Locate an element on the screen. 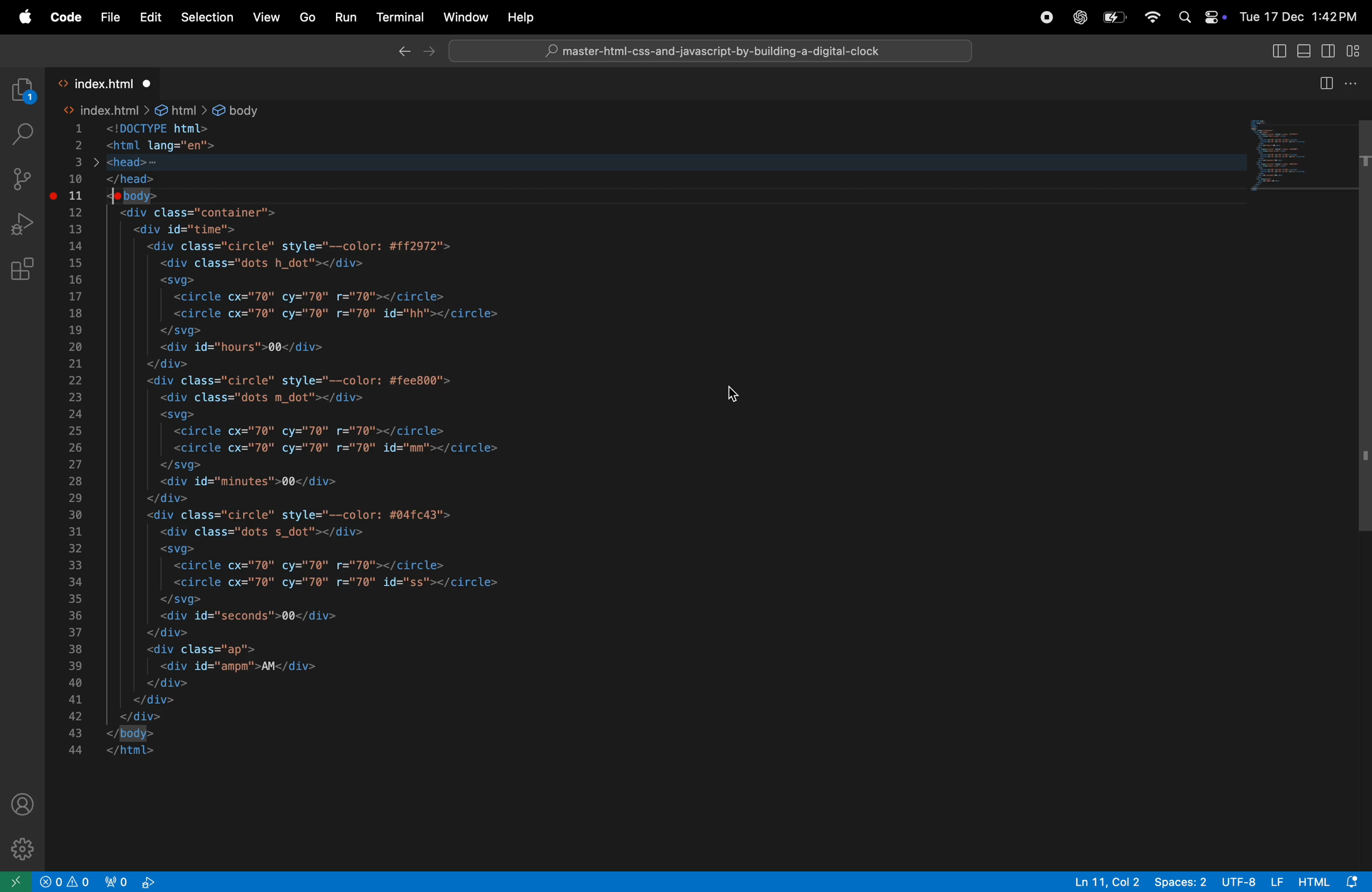 This screenshot has width=1372, height=892. Go is located at coordinates (307, 18).